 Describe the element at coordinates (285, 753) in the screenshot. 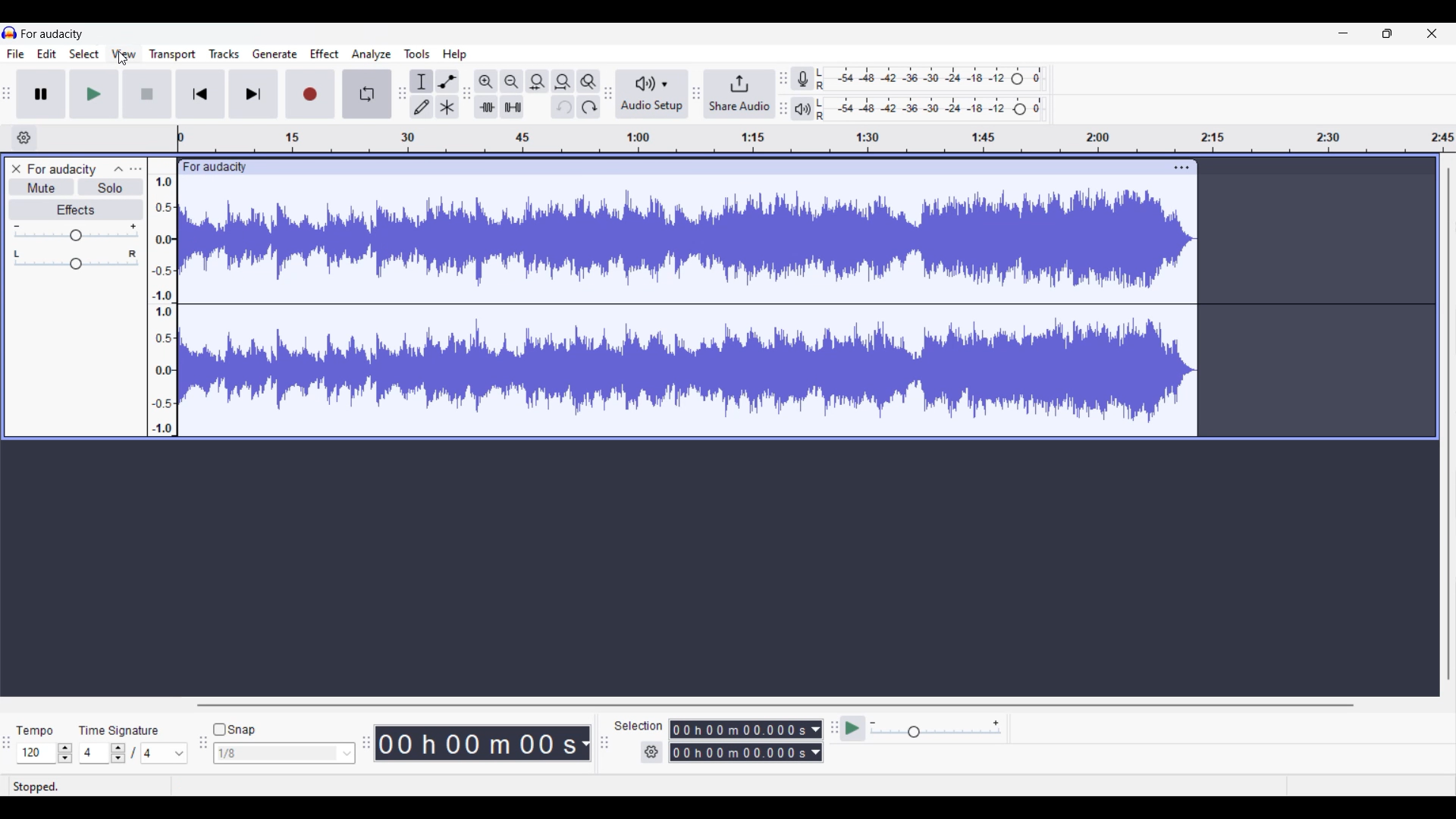

I see `Snap options` at that location.